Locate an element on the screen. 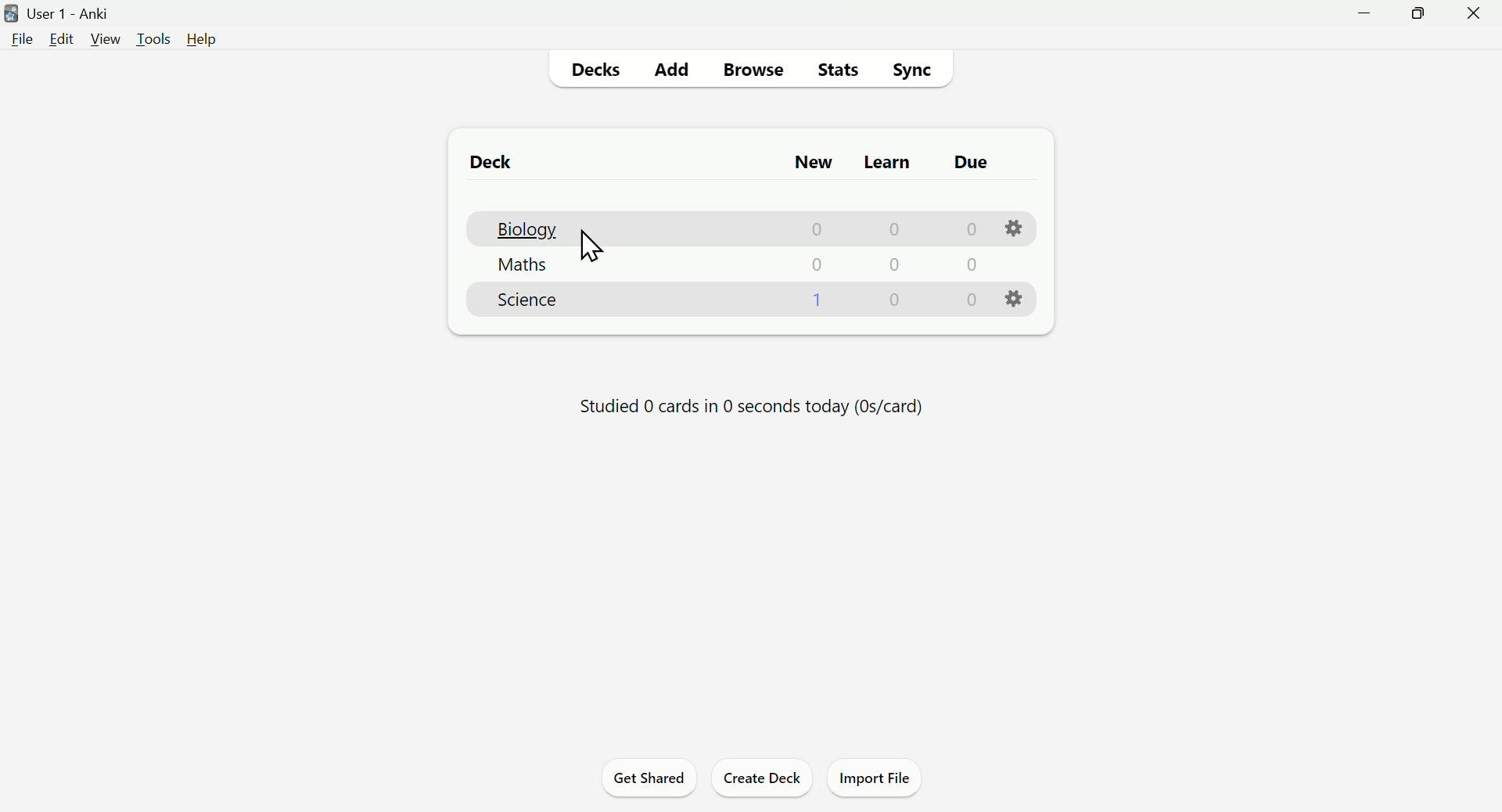 This screenshot has height=812, width=1502. Add is located at coordinates (672, 66).